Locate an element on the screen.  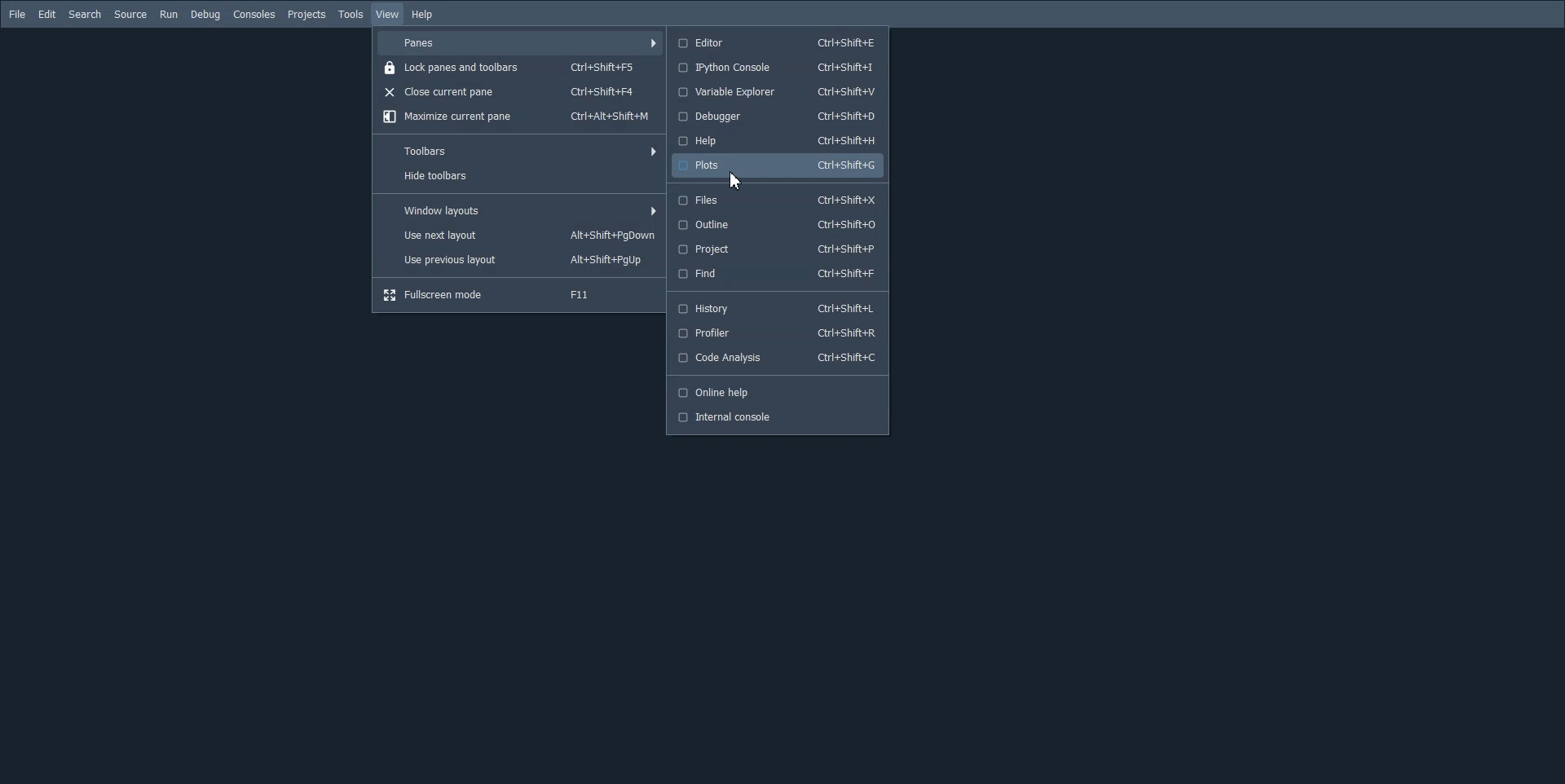
Profiler is located at coordinates (778, 333).